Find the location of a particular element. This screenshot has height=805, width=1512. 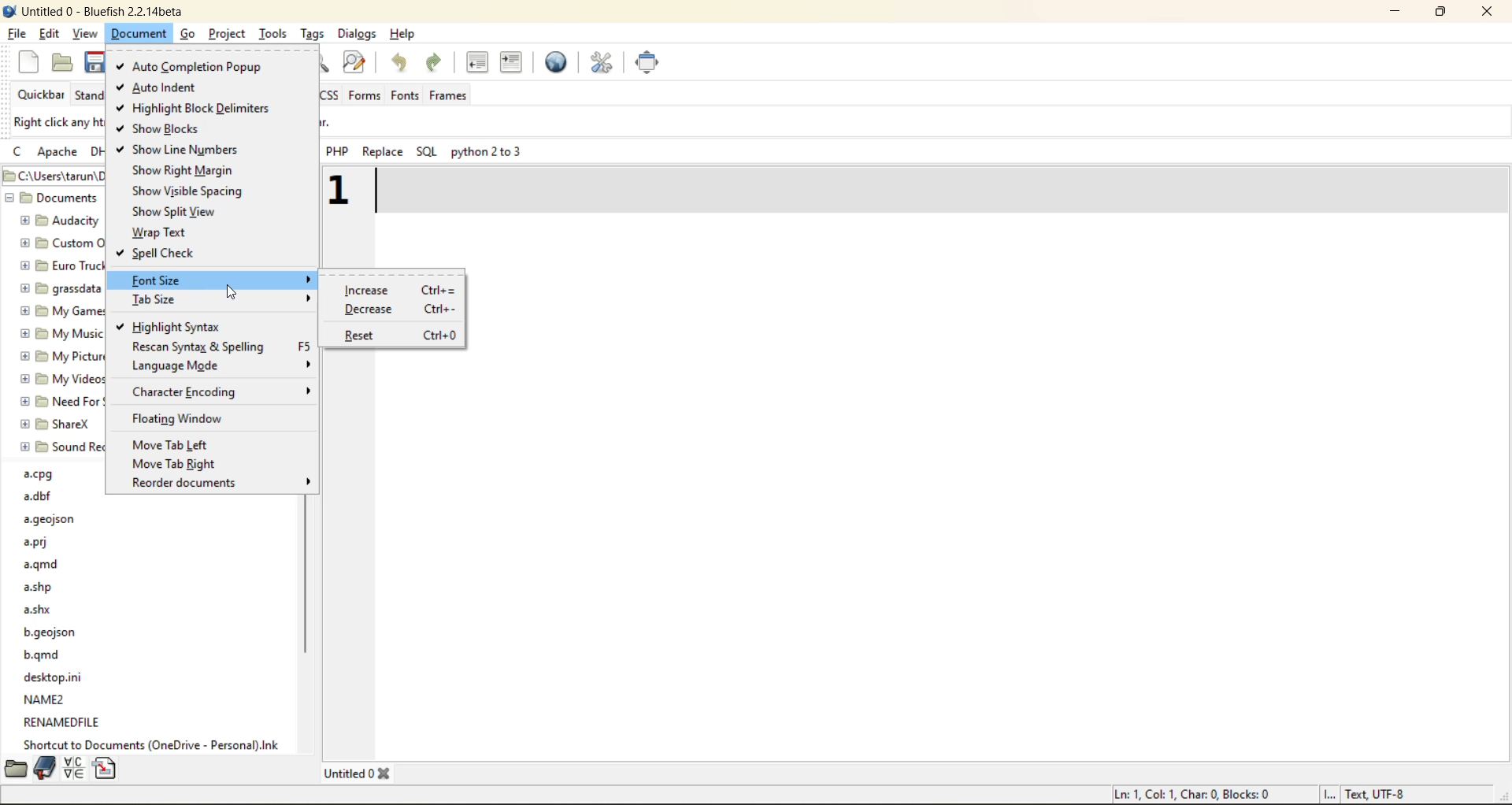

dialogs is located at coordinates (362, 35).